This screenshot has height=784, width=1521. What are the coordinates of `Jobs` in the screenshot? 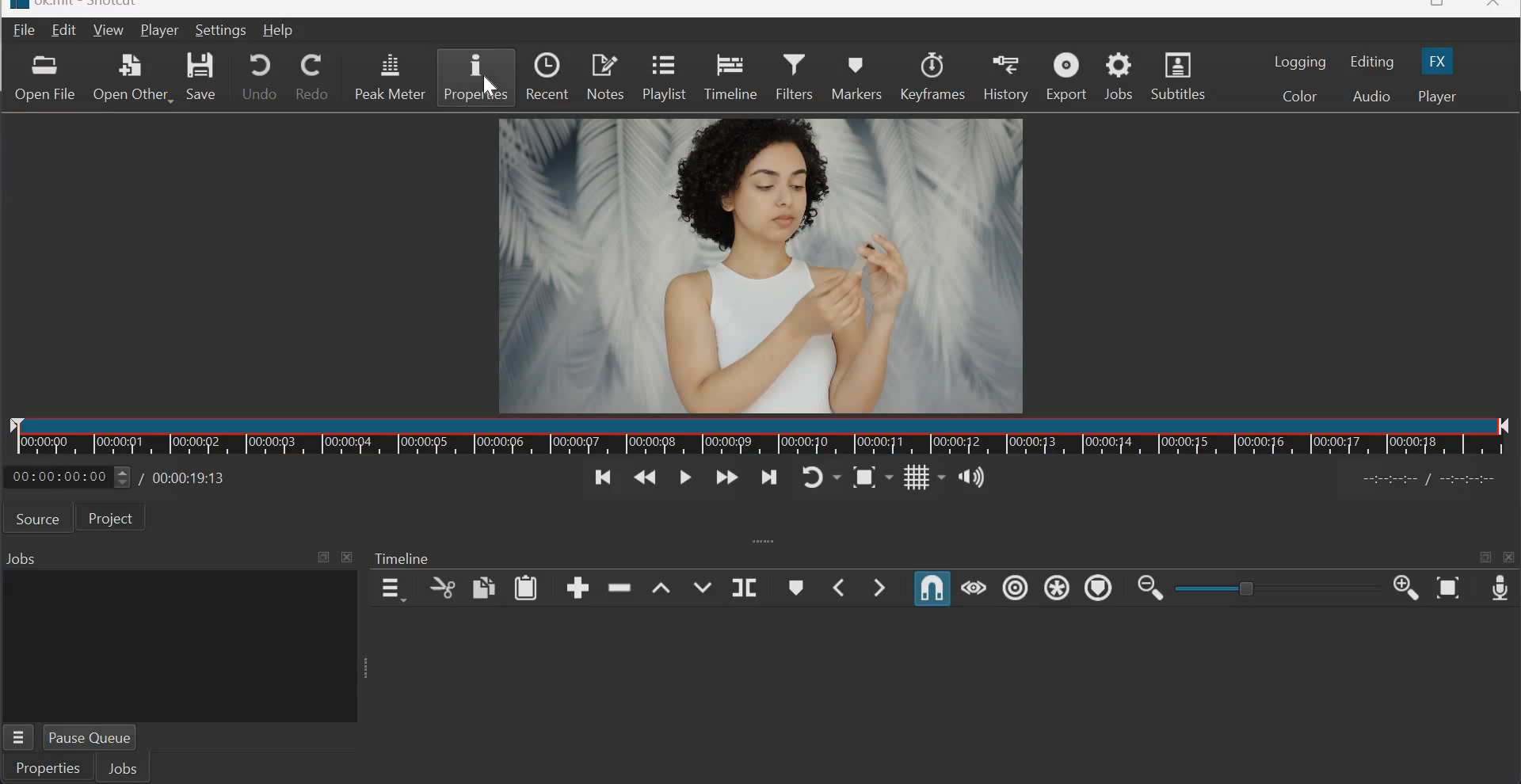 It's located at (123, 767).